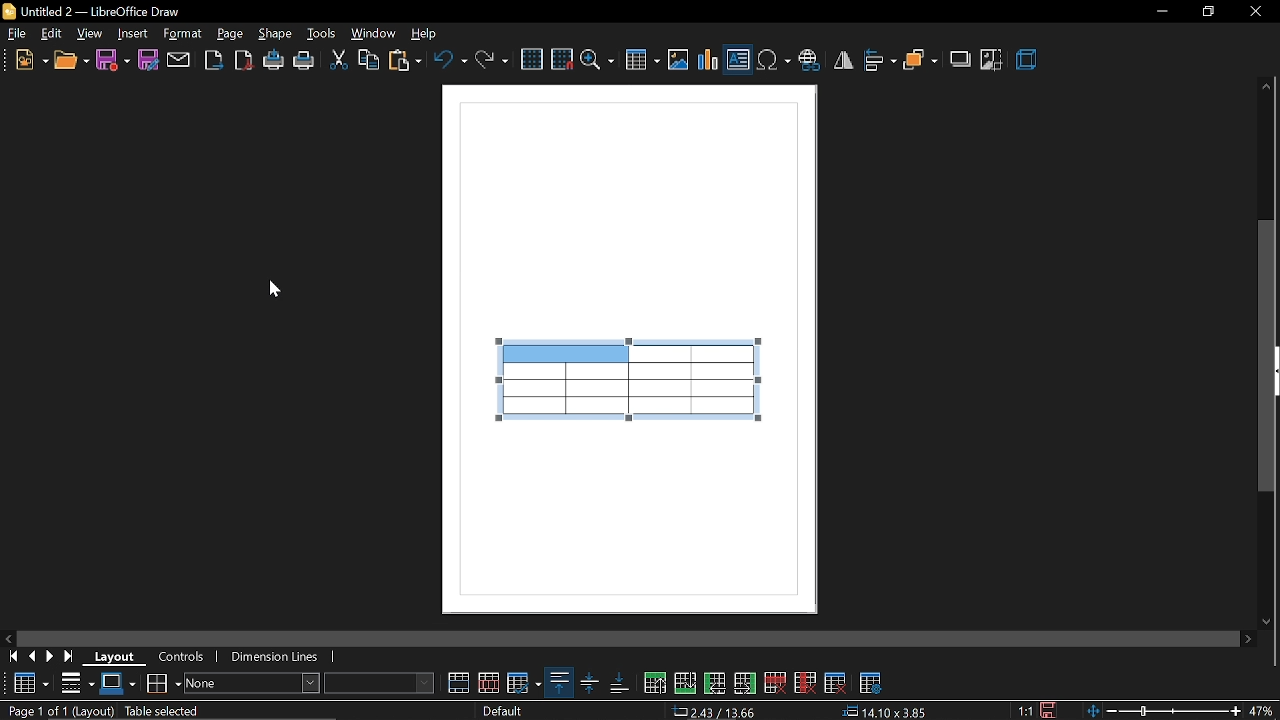 The image size is (1280, 720). Describe the element at coordinates (78, 683) in the screenshot. I see `border style` at that location.